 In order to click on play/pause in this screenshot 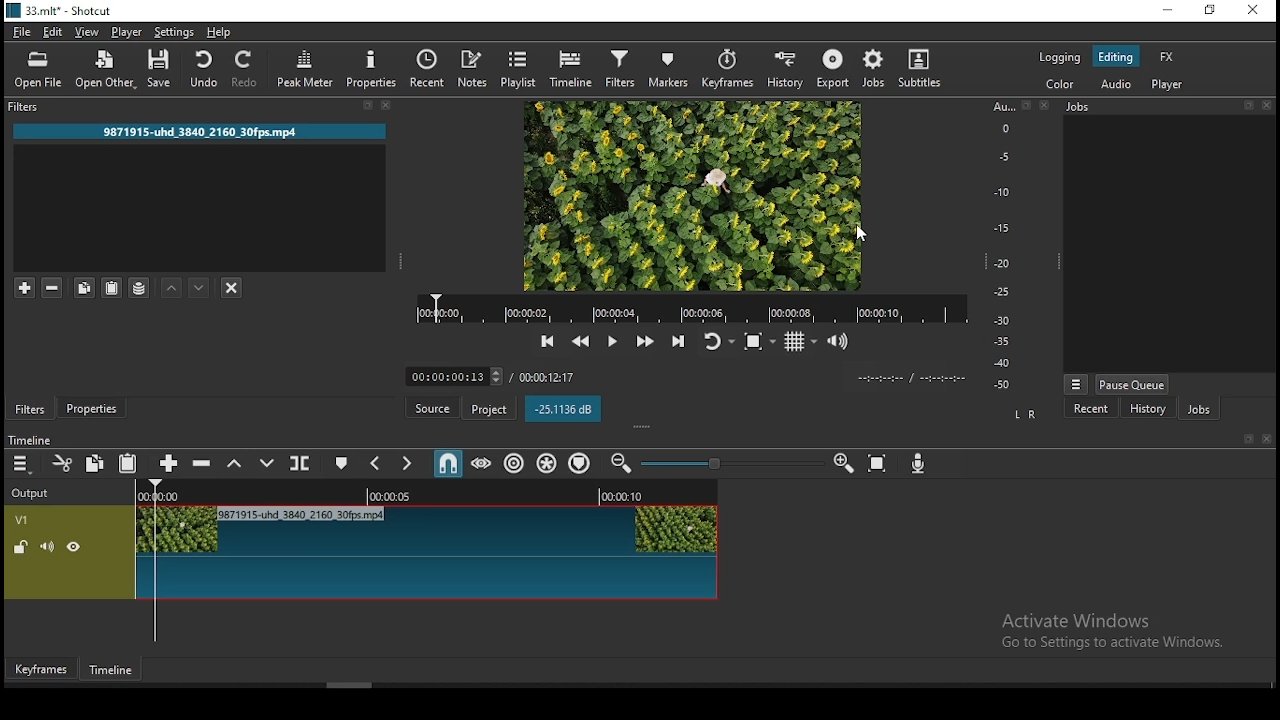, I will do `click(614, 343)`.